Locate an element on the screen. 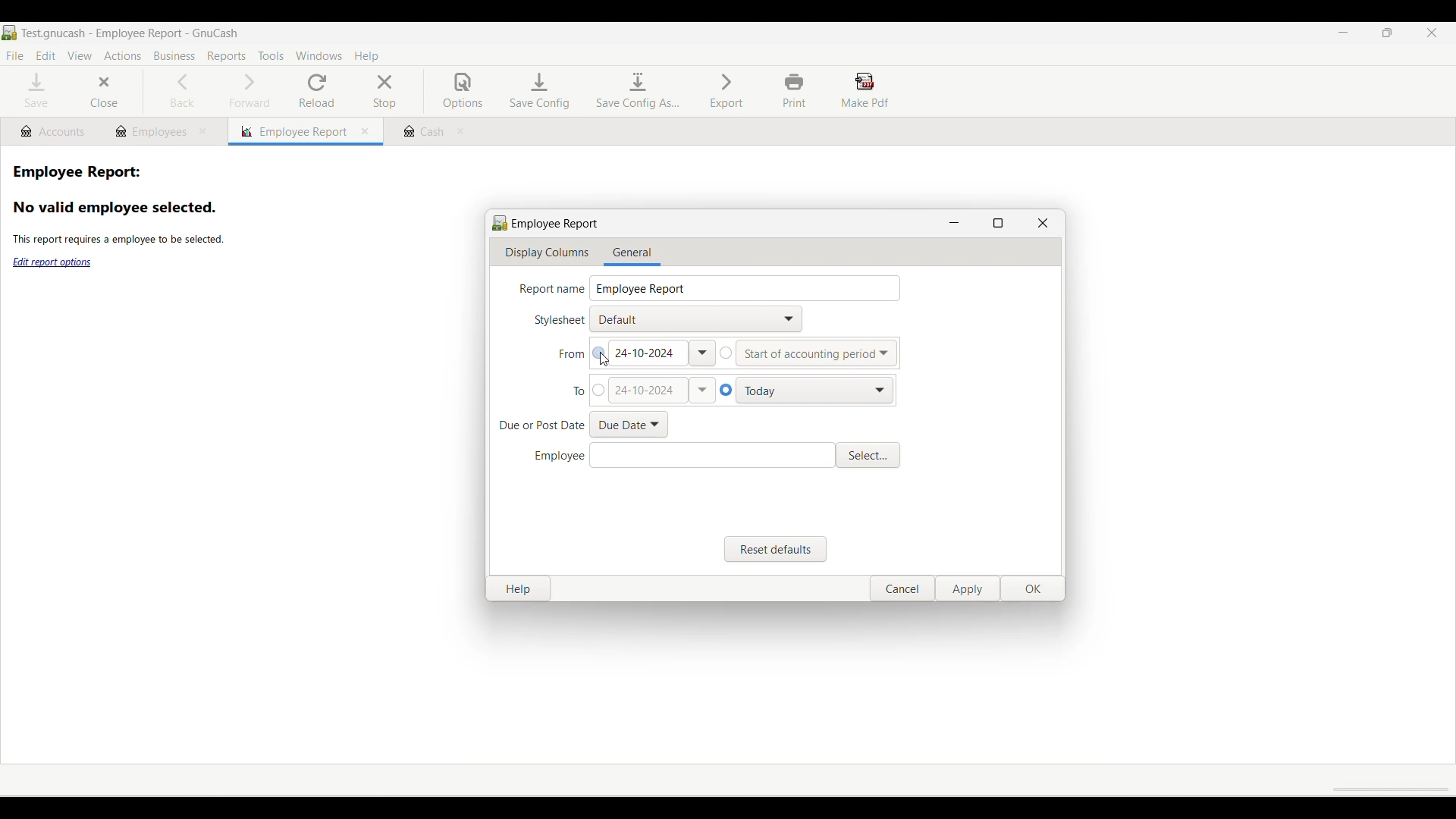 This screenshot has width=1456, height=819. Display columns is located at coordinates (544, 252).